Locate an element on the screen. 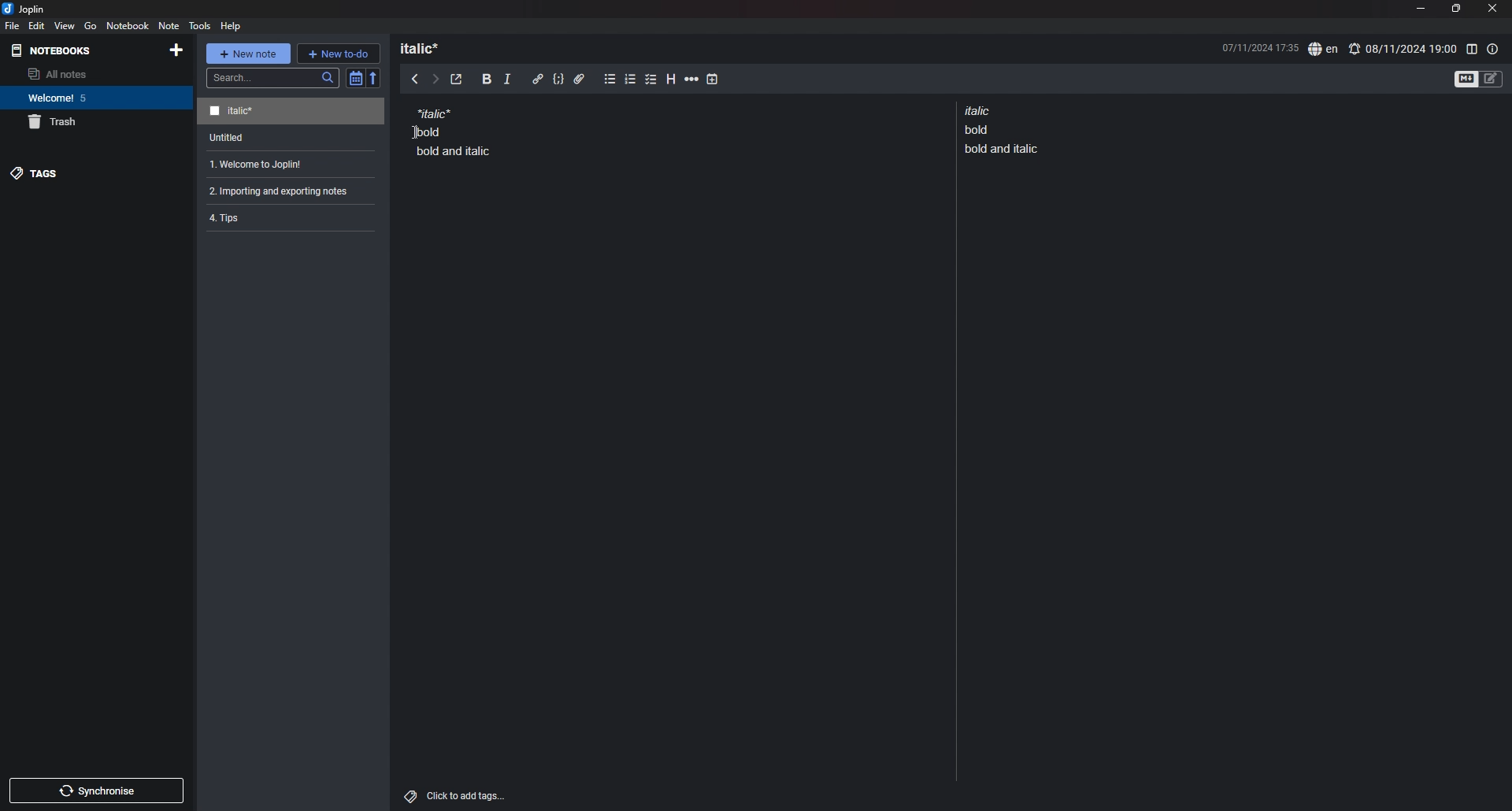  heading is located at coordinates (673, 80).